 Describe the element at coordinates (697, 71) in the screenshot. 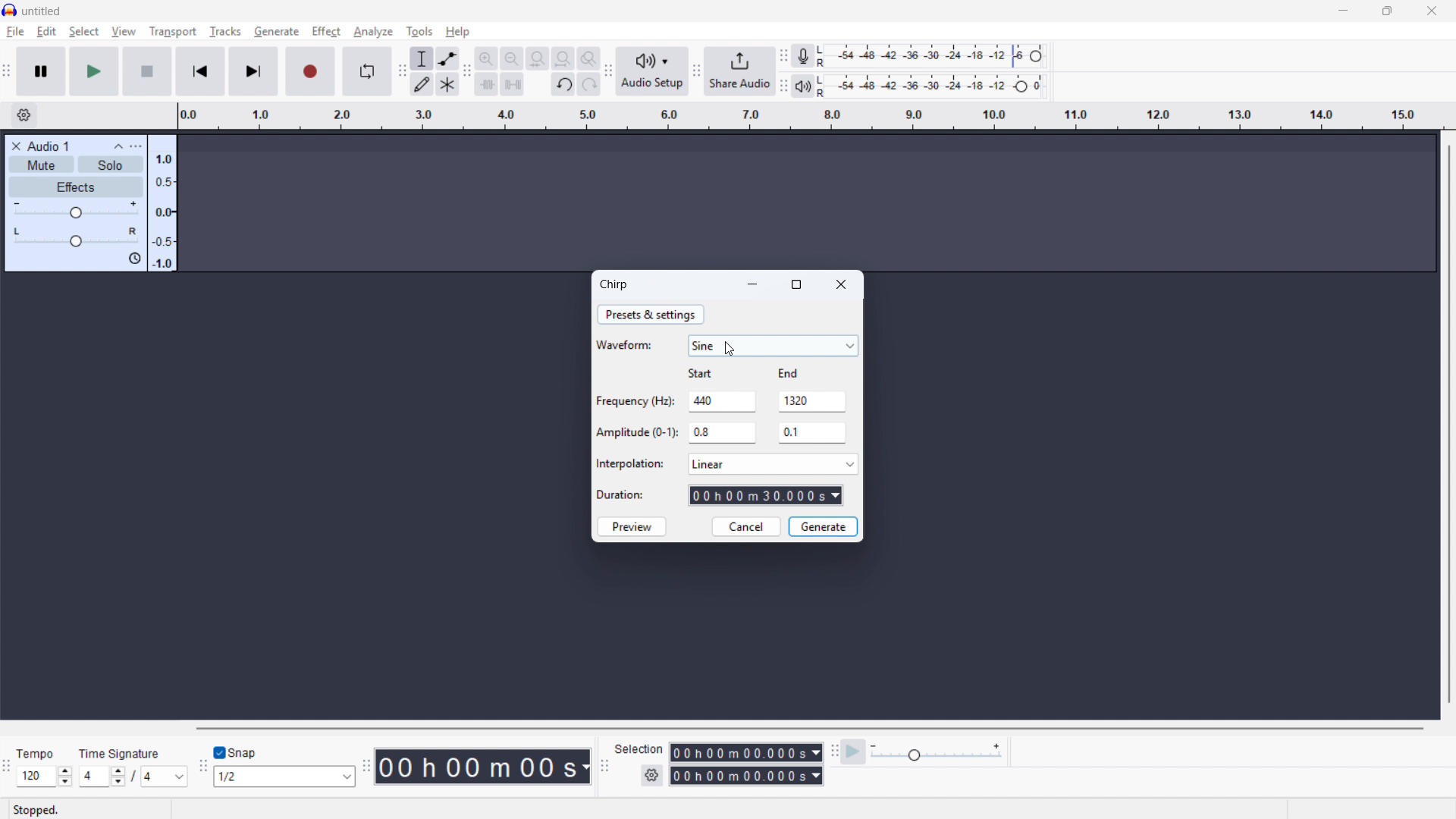

I see `Share audio toolbar ` at that location.